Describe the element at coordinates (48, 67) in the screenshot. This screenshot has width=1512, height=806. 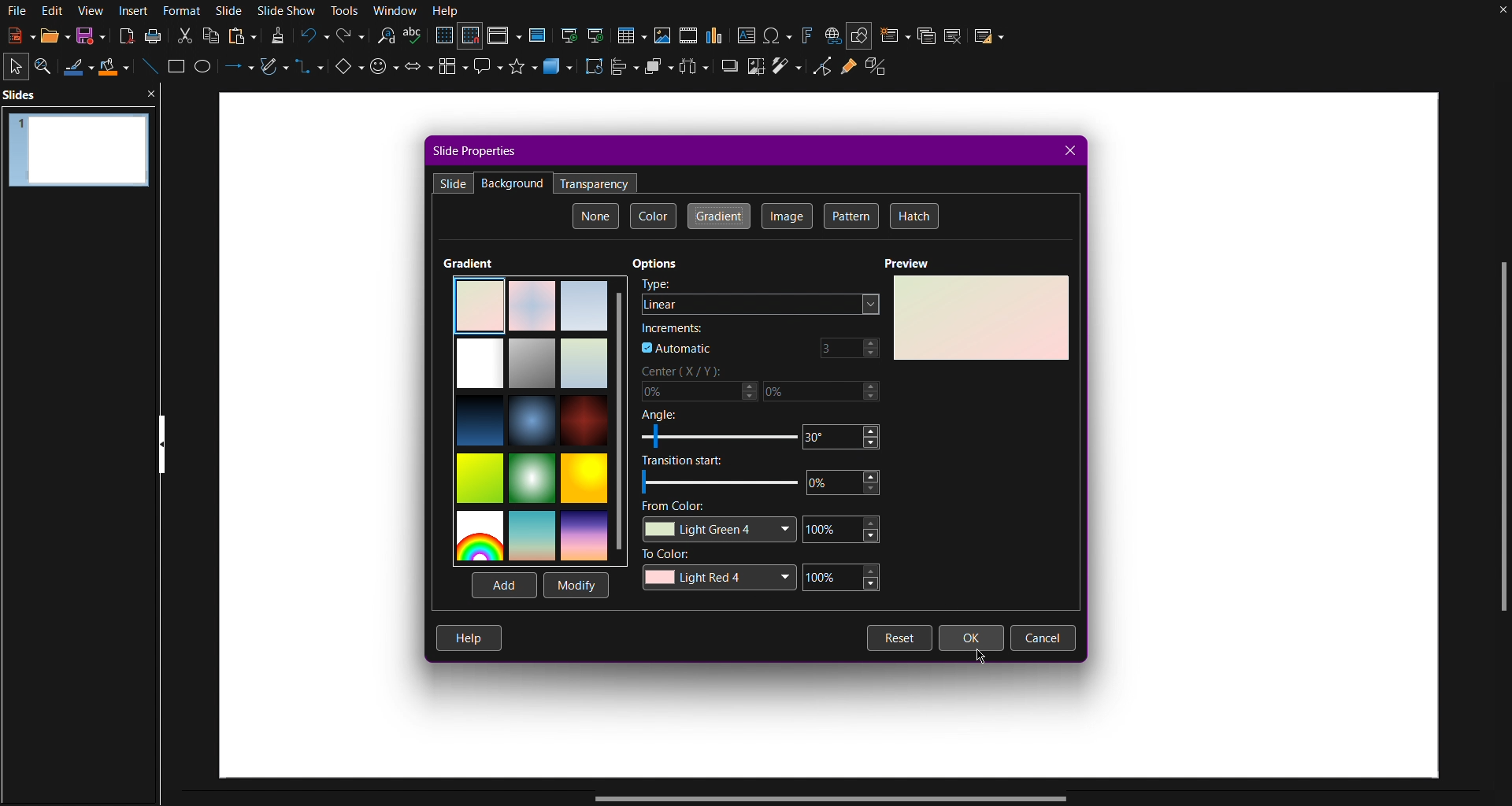
I see `Zoom and Pan` at that location.